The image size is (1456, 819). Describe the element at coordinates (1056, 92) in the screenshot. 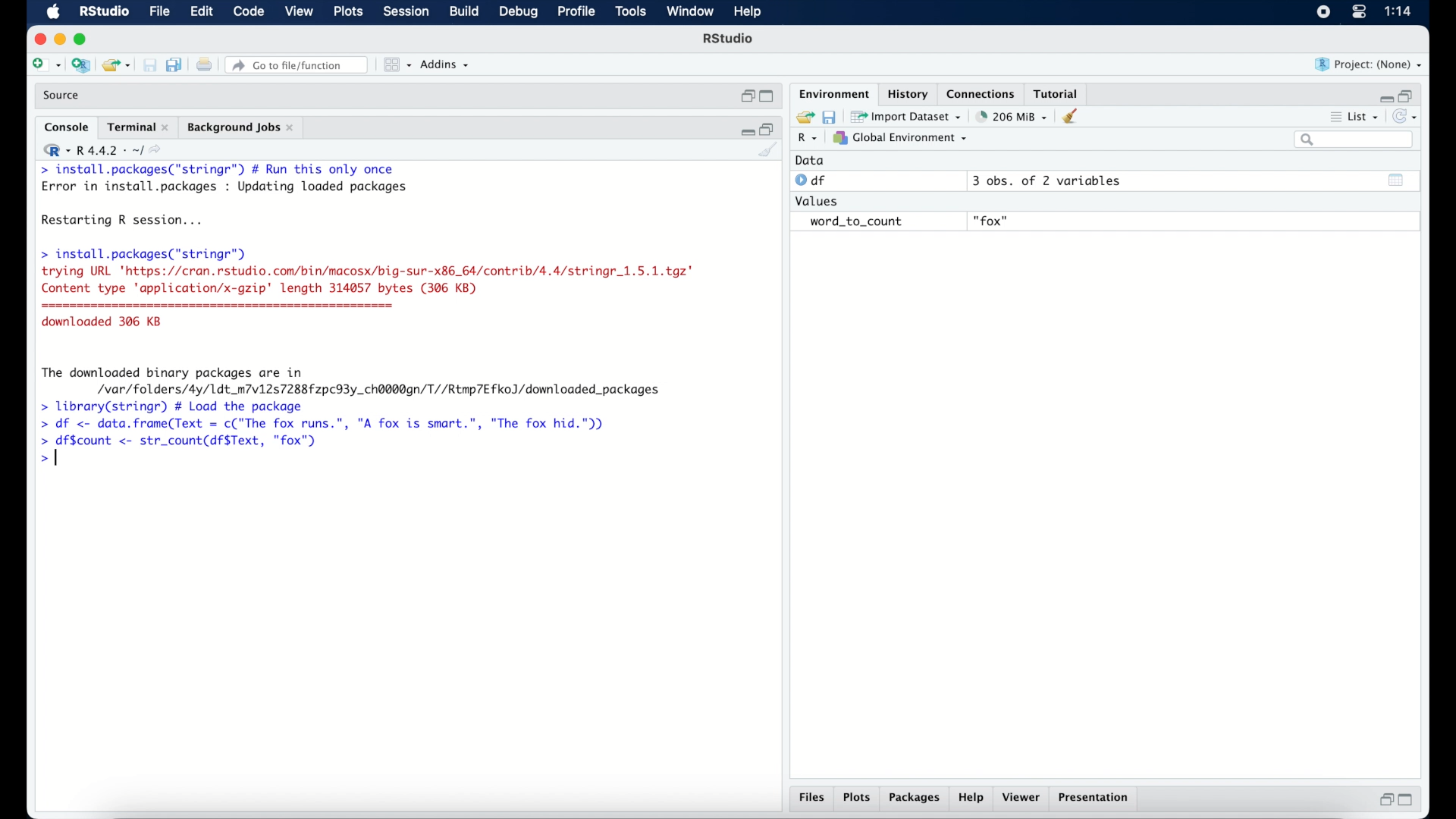

I see `tutorial` at that location.